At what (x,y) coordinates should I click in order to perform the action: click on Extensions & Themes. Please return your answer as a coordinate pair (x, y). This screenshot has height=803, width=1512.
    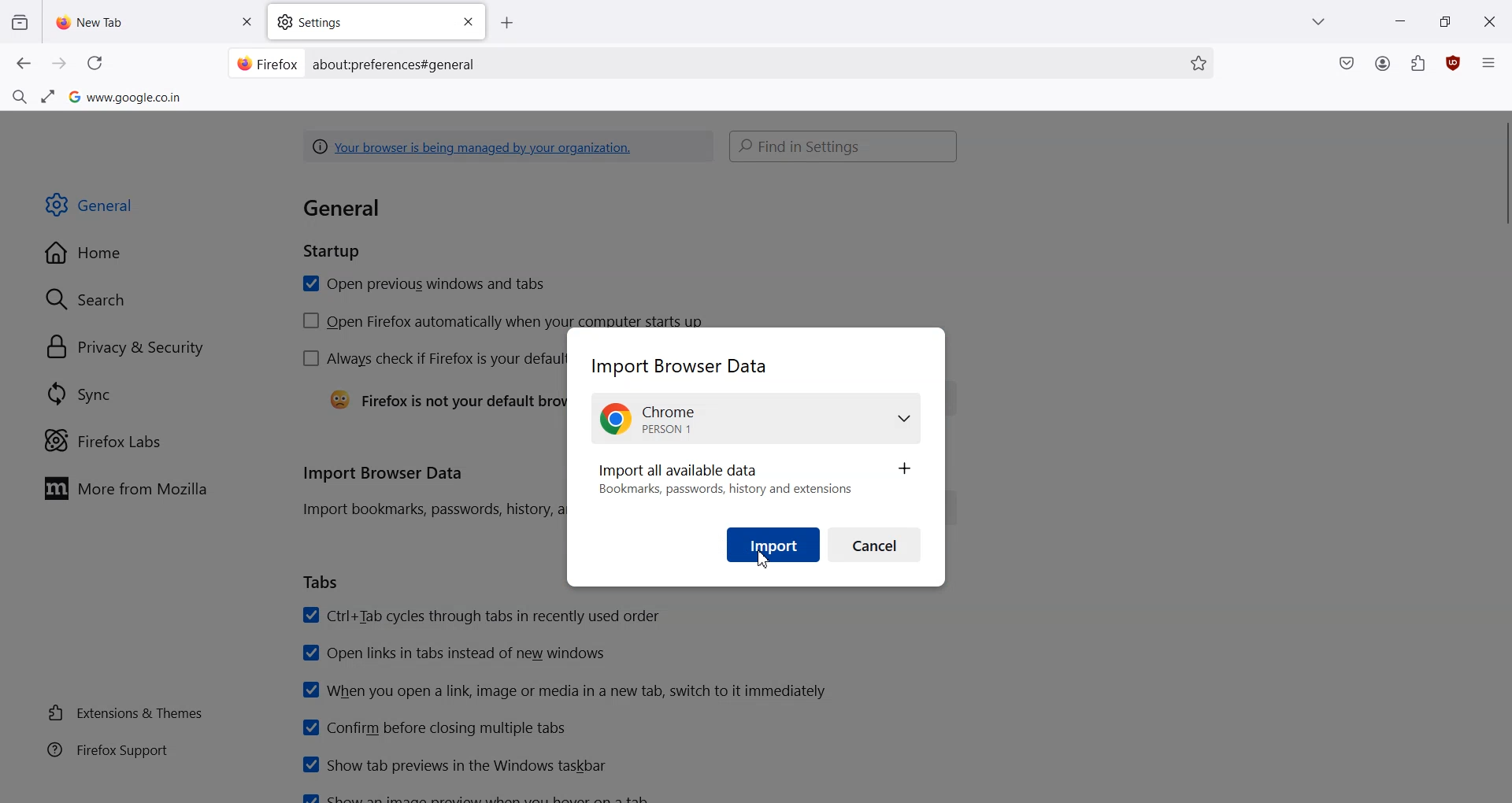
    Looking at the image, I should click on (125, 712).